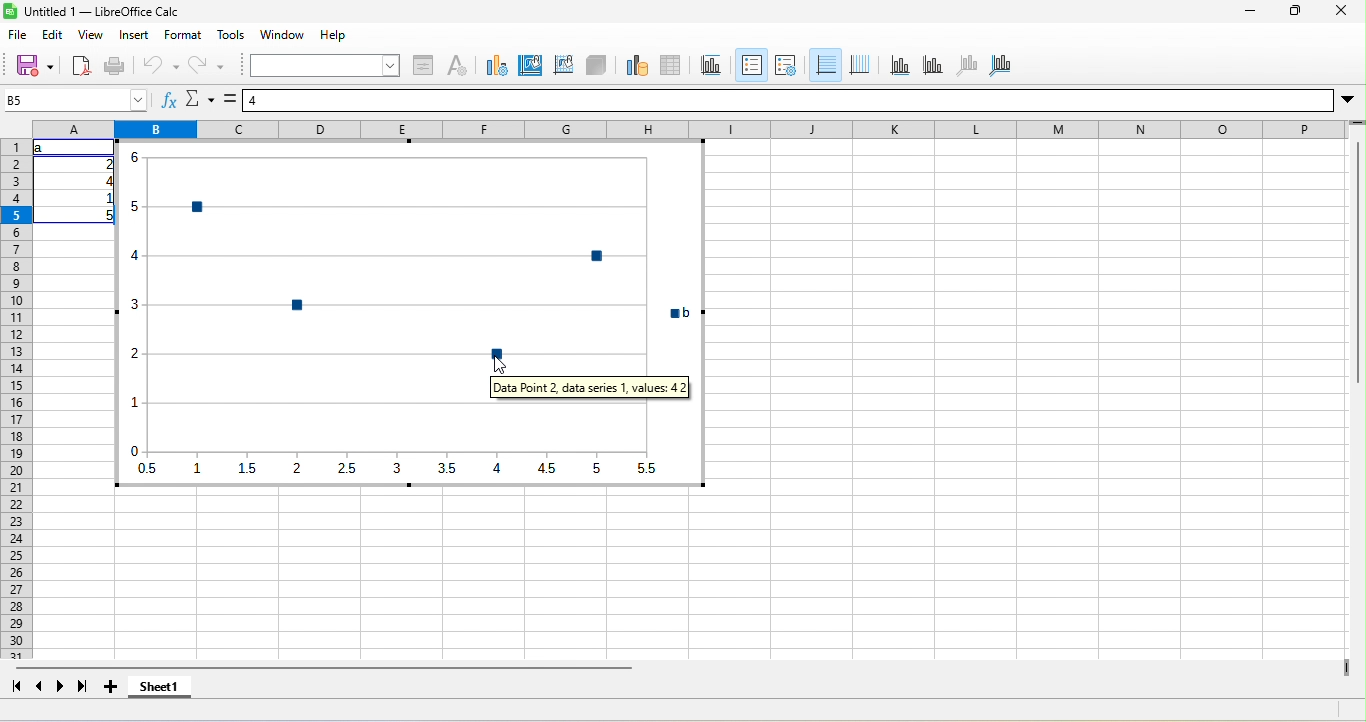 Image resolution: width=1366 pixels, height=722 pixels. Describe the element at coordinates (10, 11) in the screenshot. I see `Software logo` at that location.